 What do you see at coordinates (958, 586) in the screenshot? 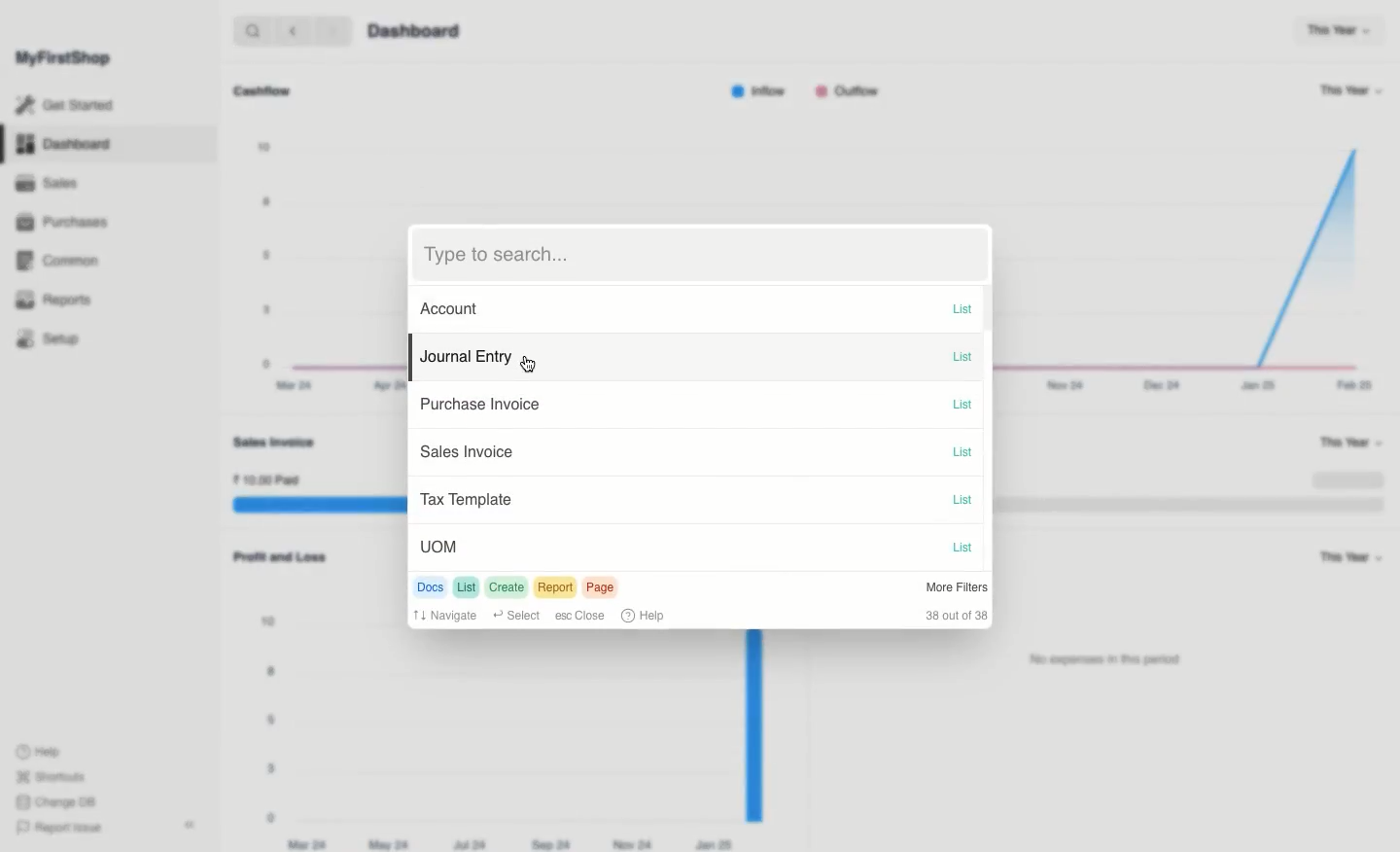
I see `More Filters` at bounding box center [958, 586].